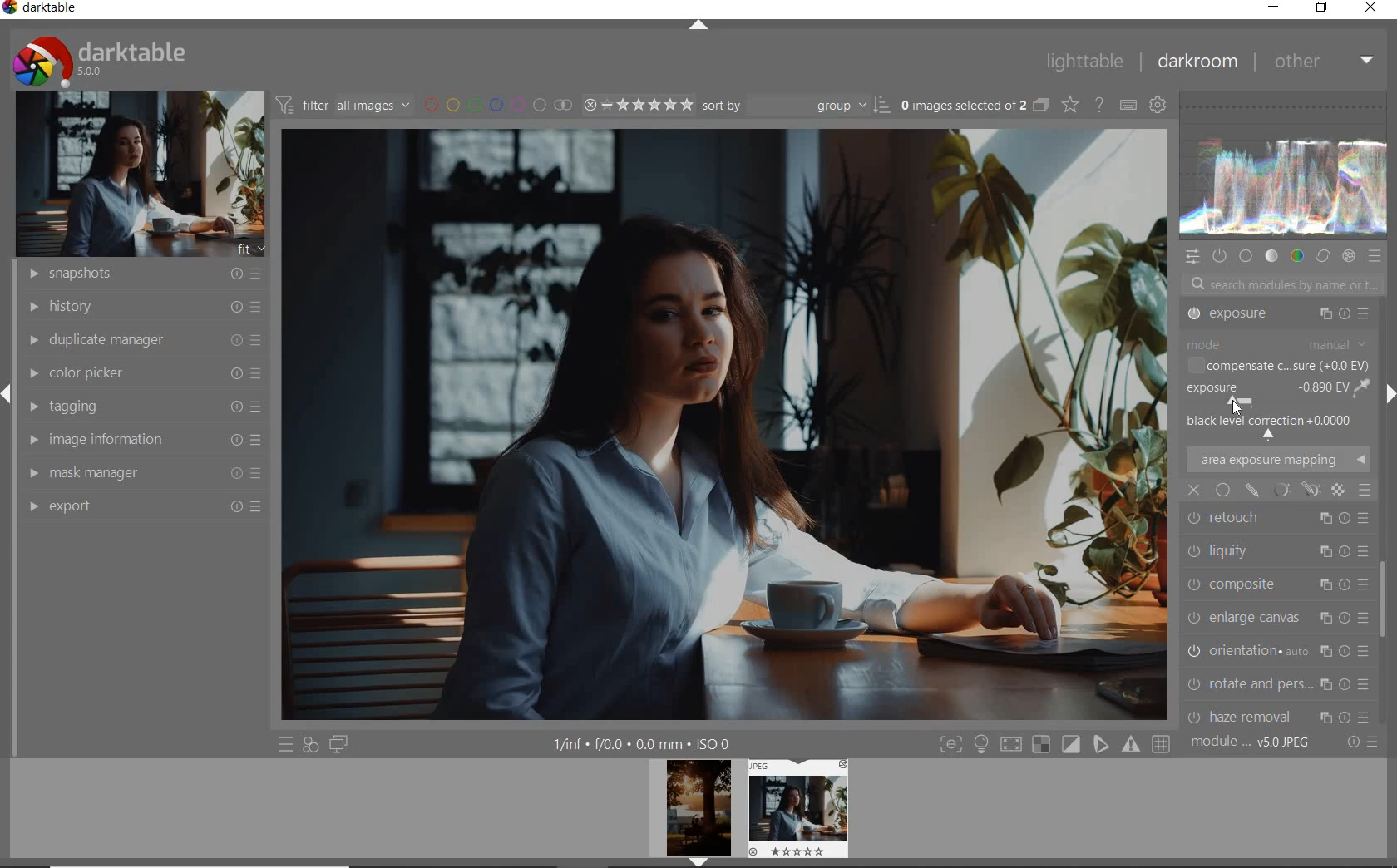  I want to click on blending options, so click(1365, 491).